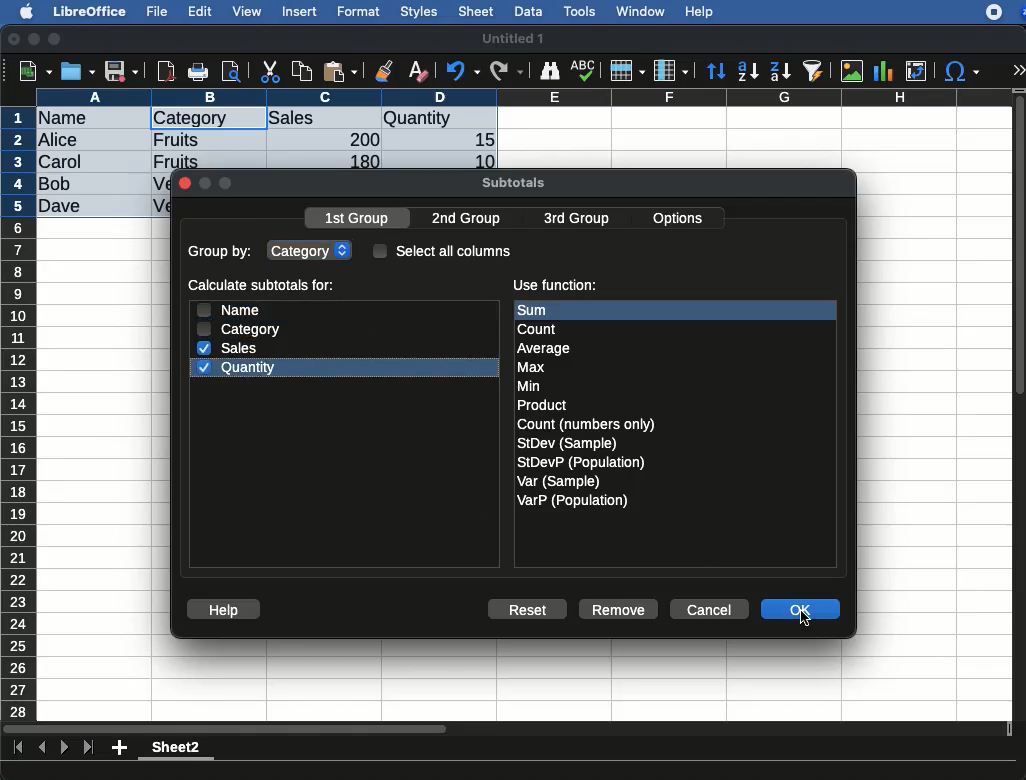 The image size is (1026, 780). What do you see at coordinates (359, 12) in the screenshot?
I see `format` at bounding box center [359, 12].